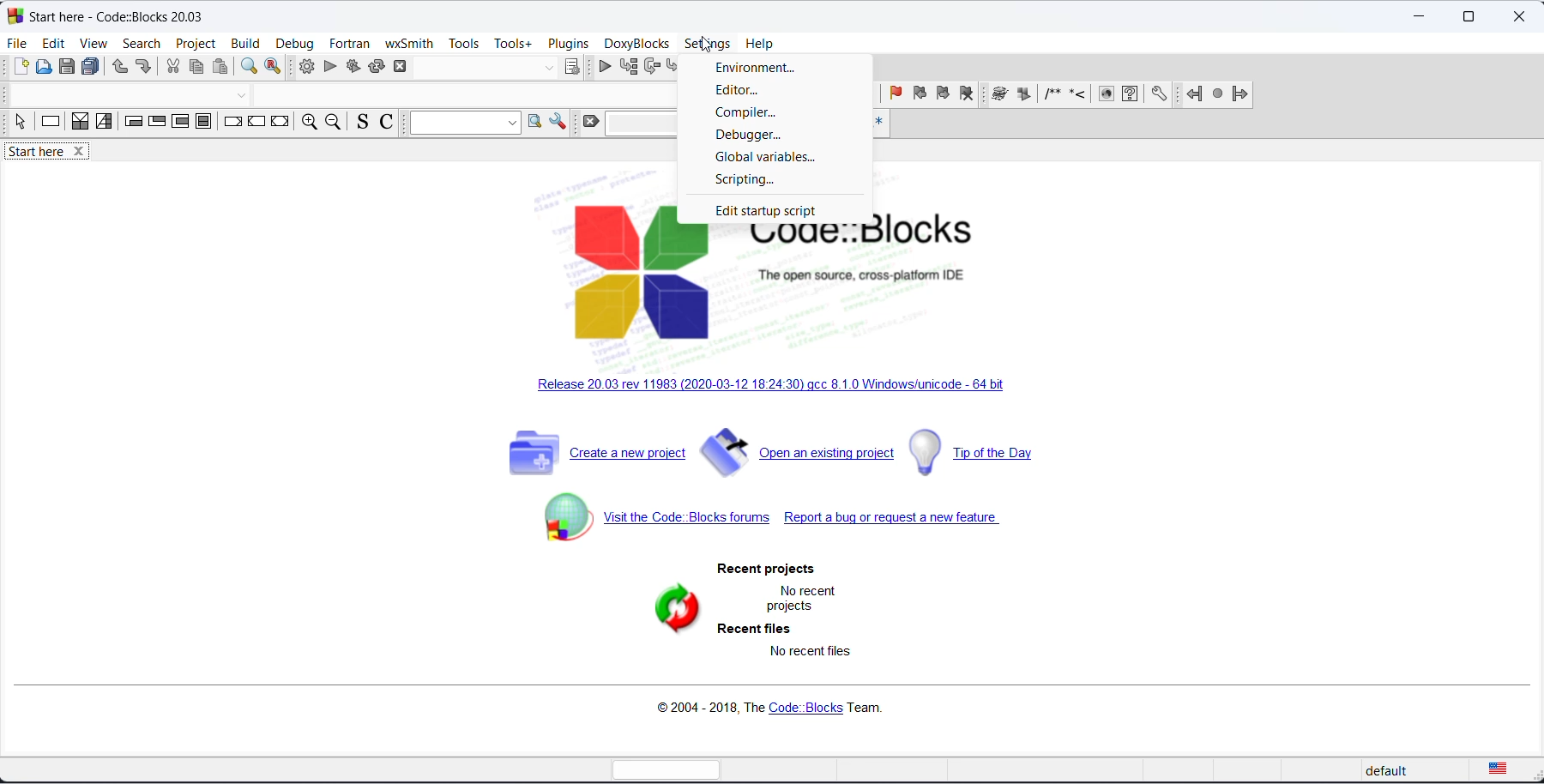 This screenshot has width=1544, height=784. I want to click on selection, so click(21, 122).